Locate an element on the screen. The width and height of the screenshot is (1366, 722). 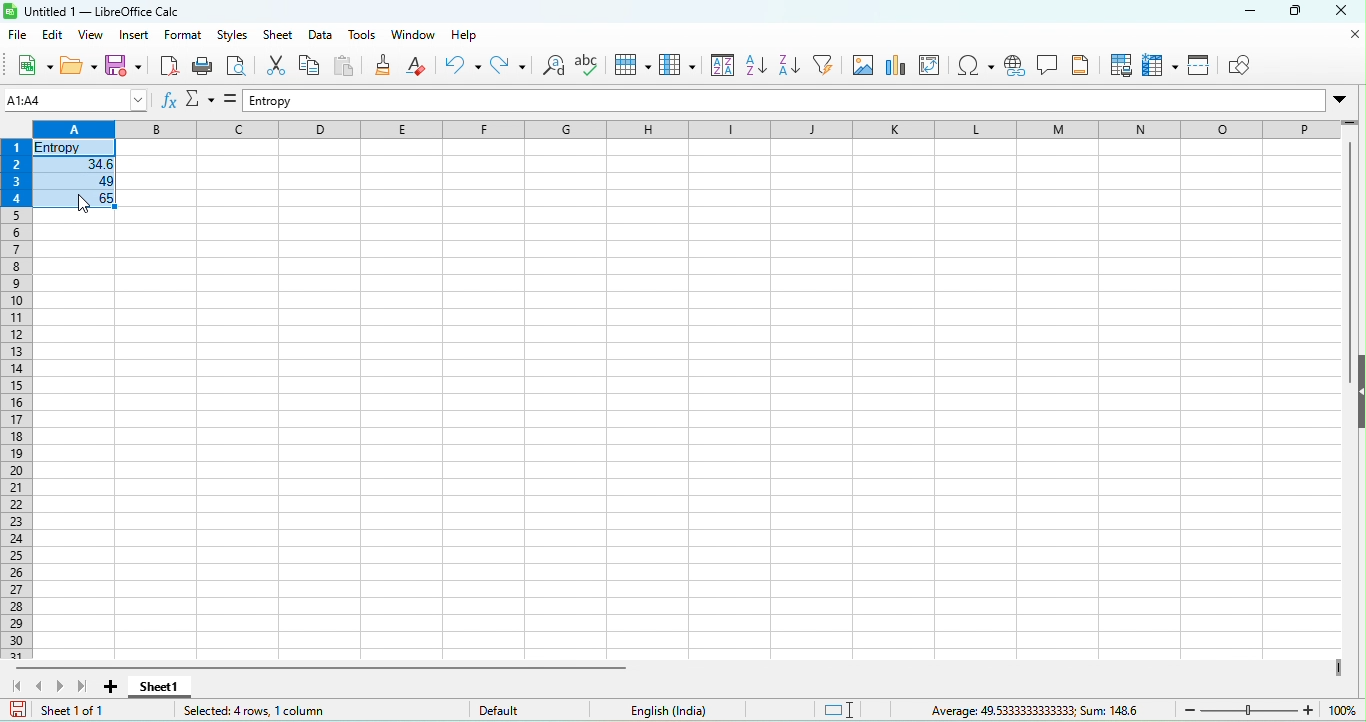
selected cells is located at coordinates (77, 175).